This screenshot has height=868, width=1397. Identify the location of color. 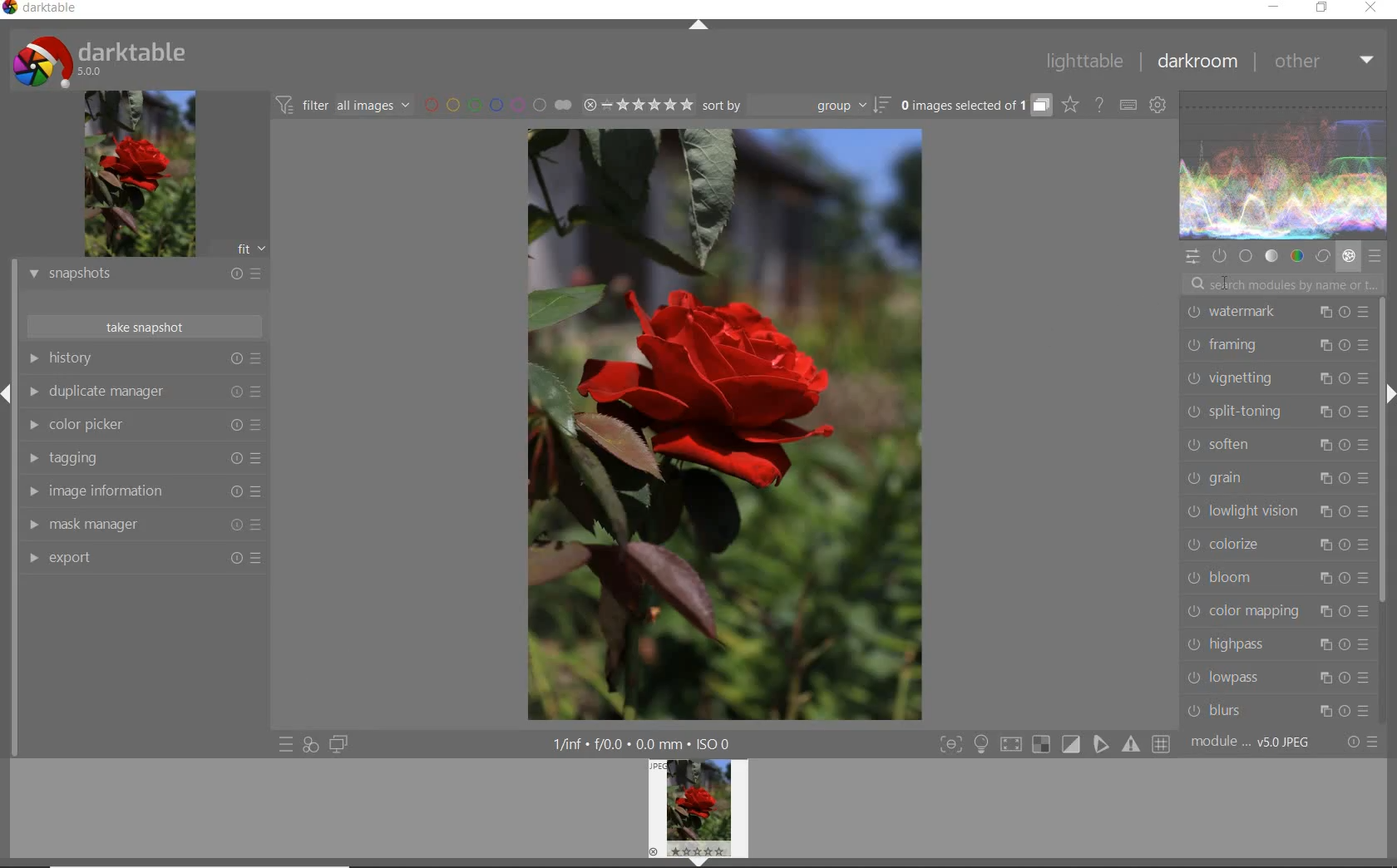
(1298, 256).